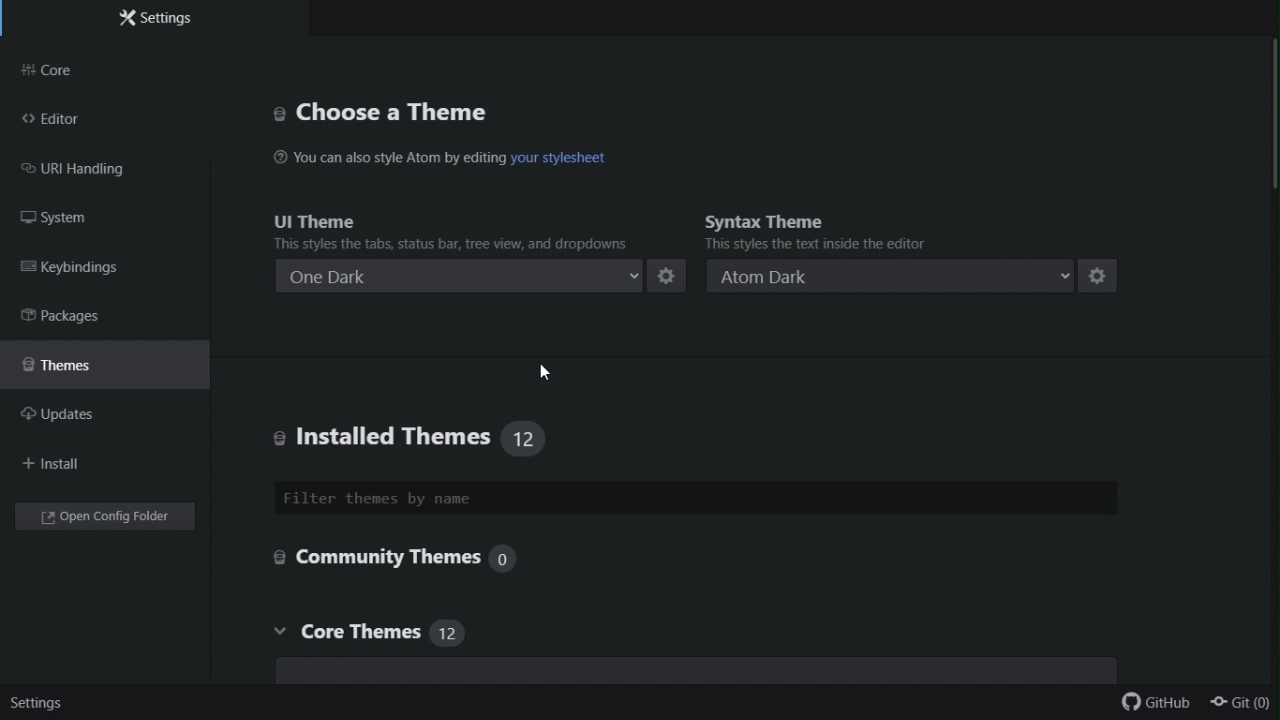 The height and width of the screenshot is (720, 1280). Describe the element at coordinates (90, 173) in the screenshot. I see `URI Handling` at that location.